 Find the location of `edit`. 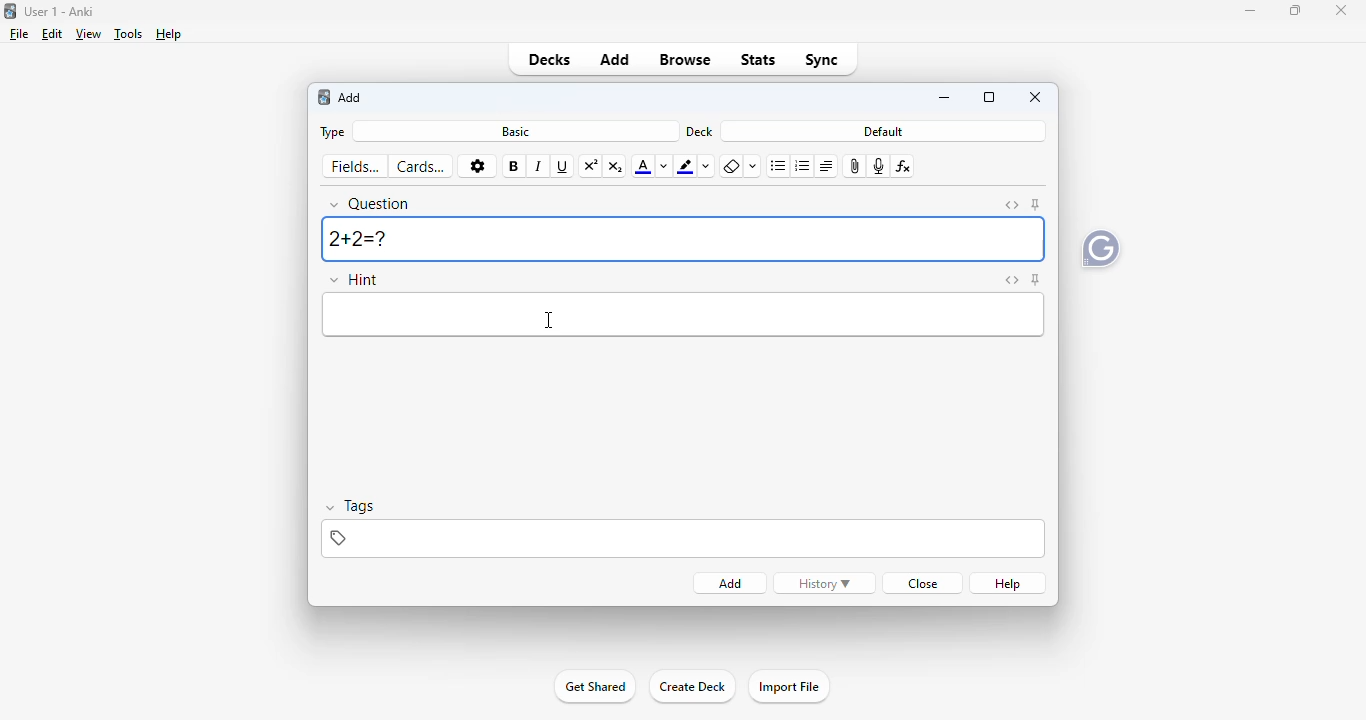

edit is located at coordinates (53, 34).